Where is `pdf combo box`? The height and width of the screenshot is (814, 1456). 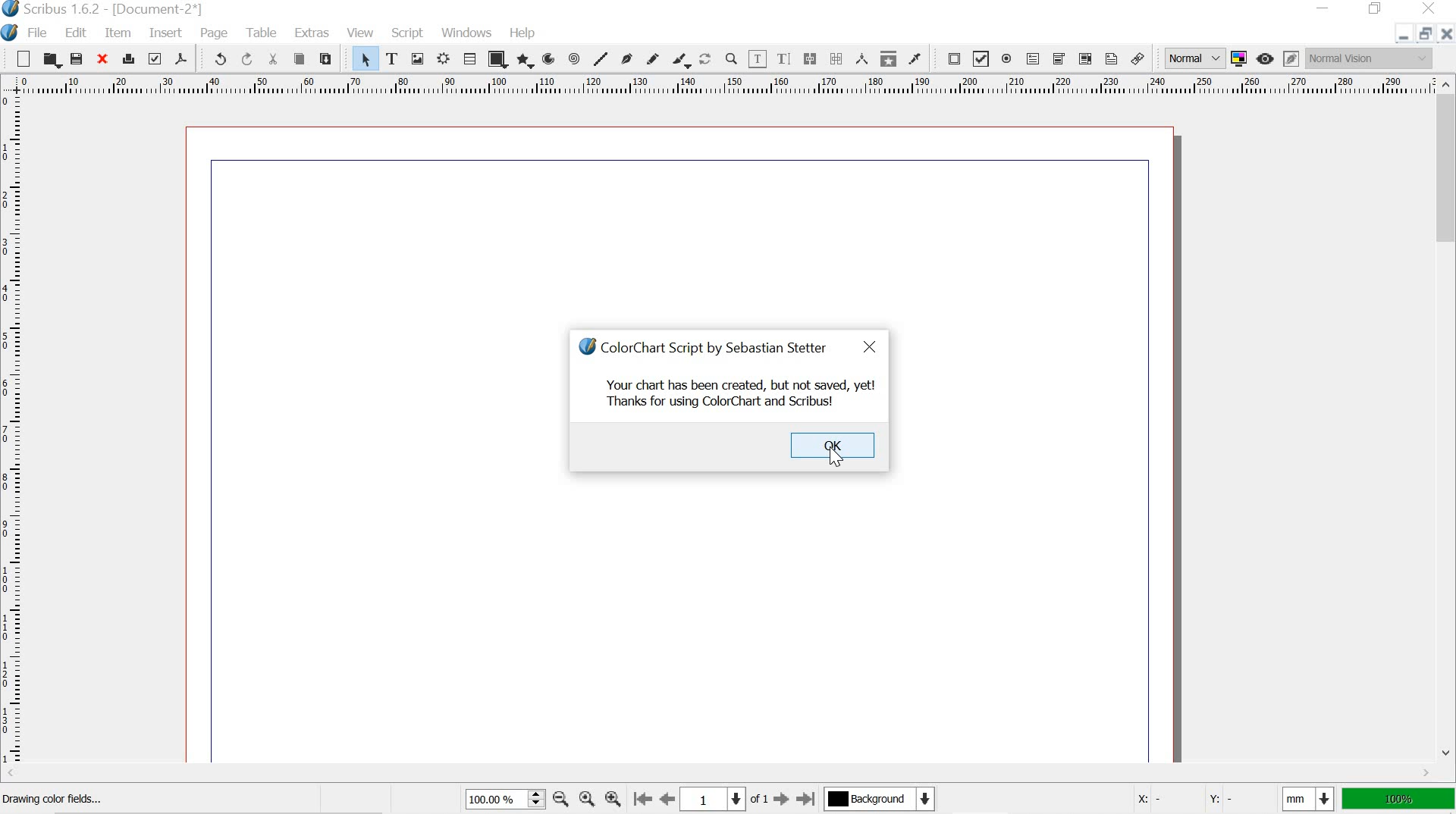 pdf combo box is located at coordinates (1059, 59).